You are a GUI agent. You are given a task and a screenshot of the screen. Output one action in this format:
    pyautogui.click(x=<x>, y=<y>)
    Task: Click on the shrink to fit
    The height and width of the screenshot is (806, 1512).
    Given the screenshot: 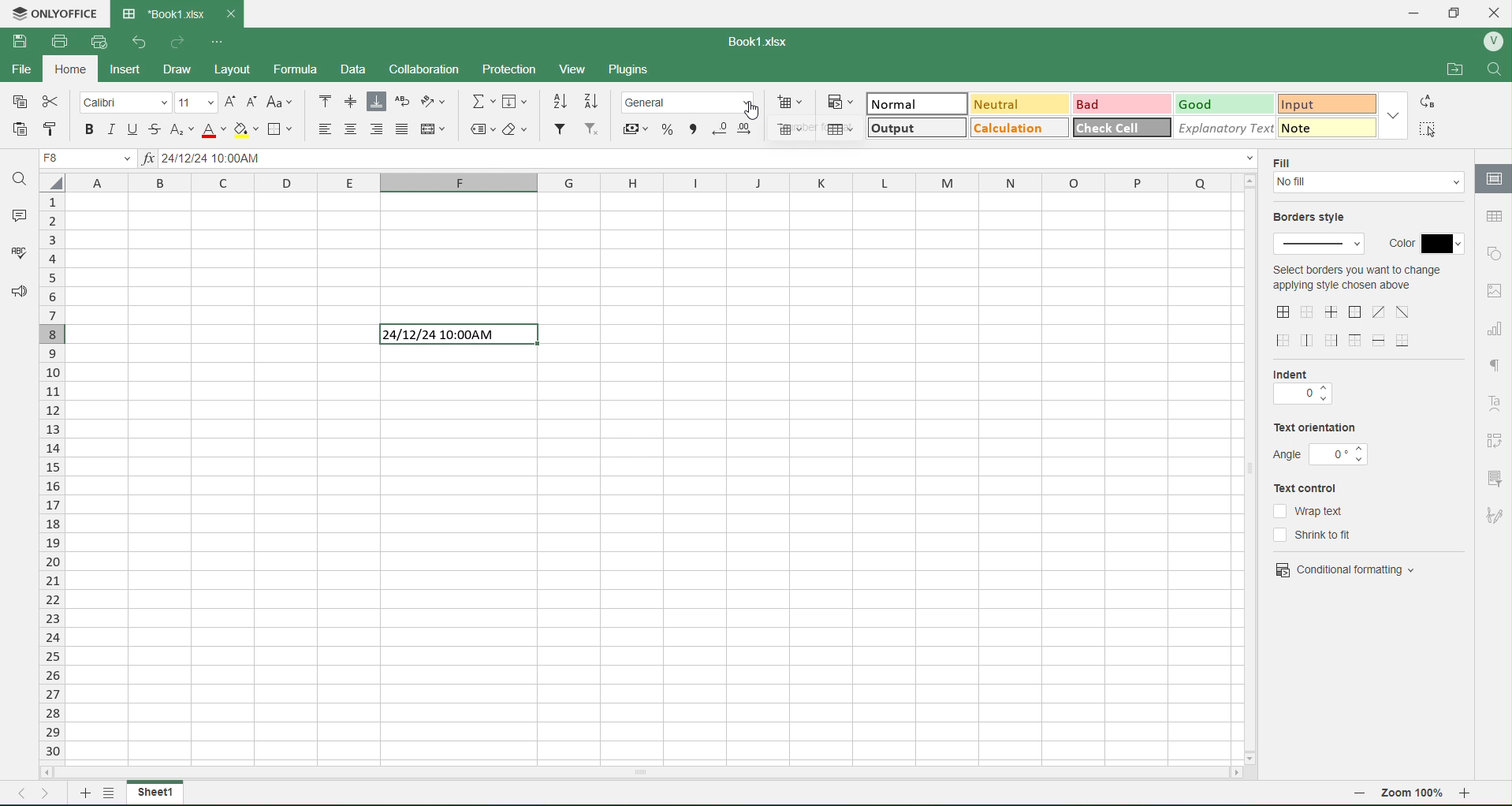 What is the action you would take?
    pyautogui.click(x=1322, y=535)
    